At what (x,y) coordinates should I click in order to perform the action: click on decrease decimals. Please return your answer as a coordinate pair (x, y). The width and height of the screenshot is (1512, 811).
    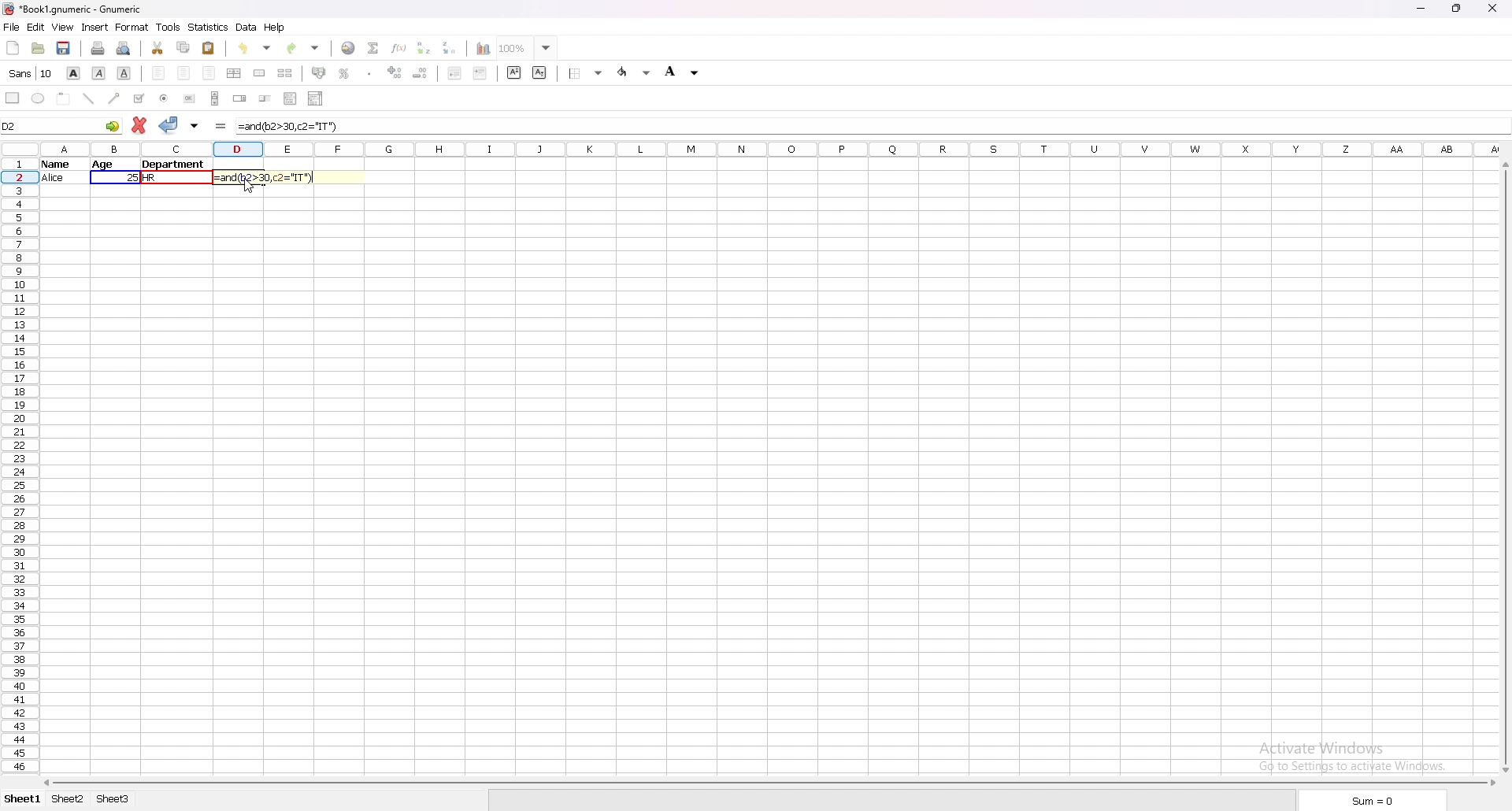
    Looking at the image, I should click on (421, 72).